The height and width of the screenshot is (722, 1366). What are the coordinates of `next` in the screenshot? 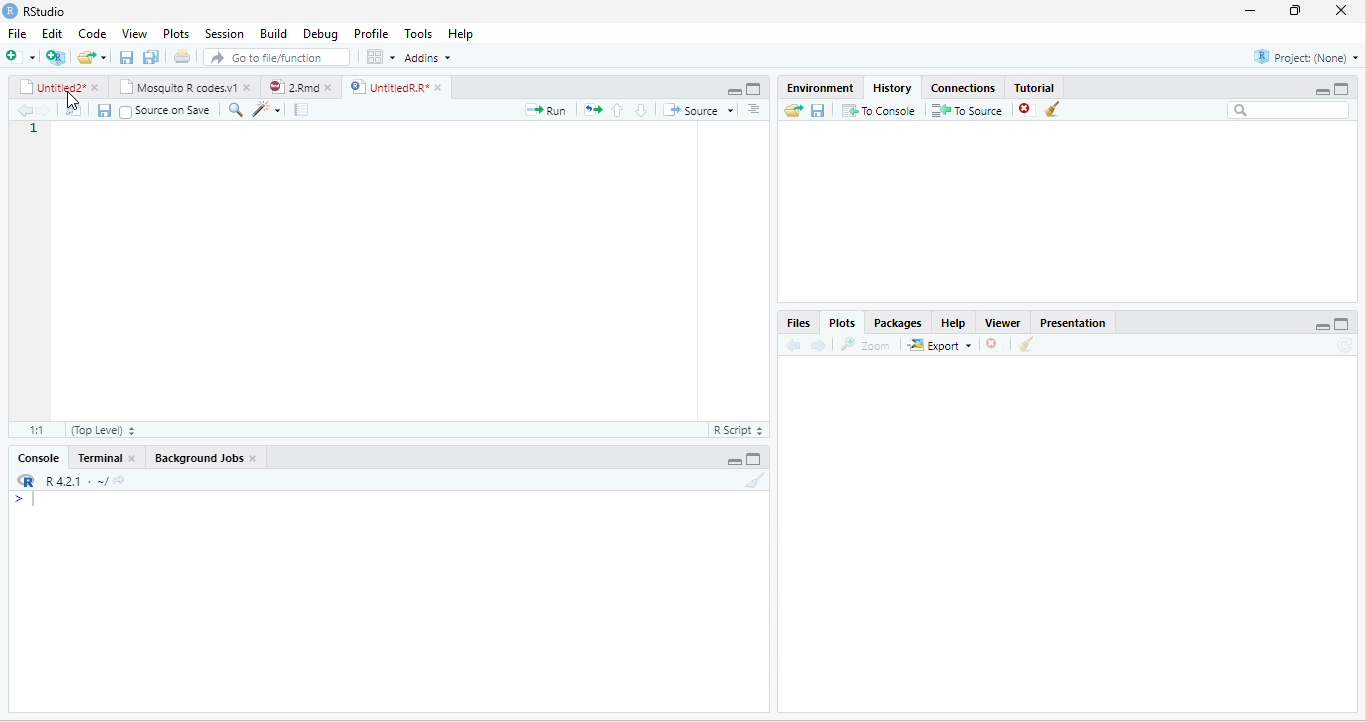 It's located at (824, 344).